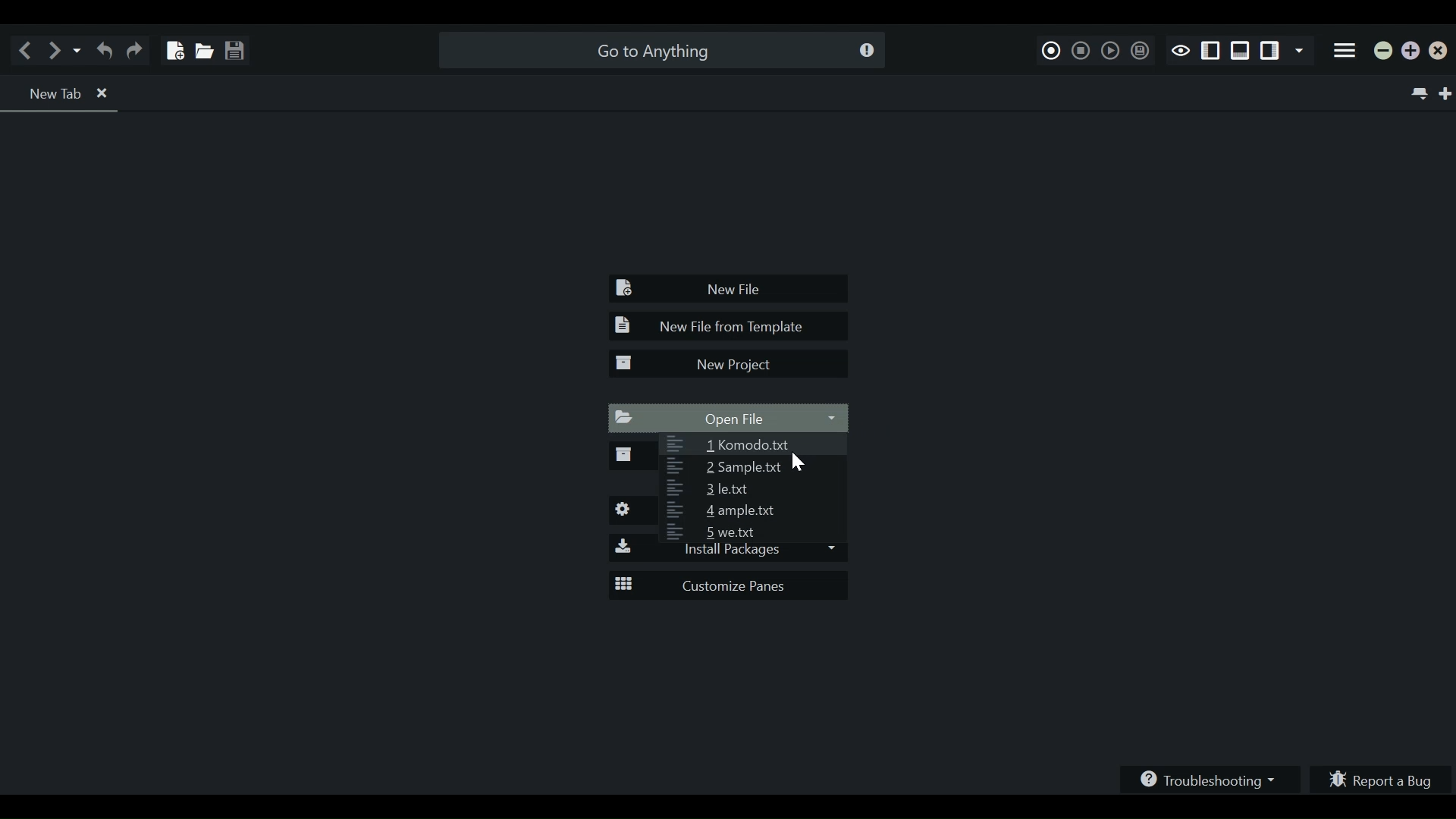 The image size is (1456, 819). Describe the element at coordinates (1447, 93) in the screenshot. I see `New Tab` at that location.